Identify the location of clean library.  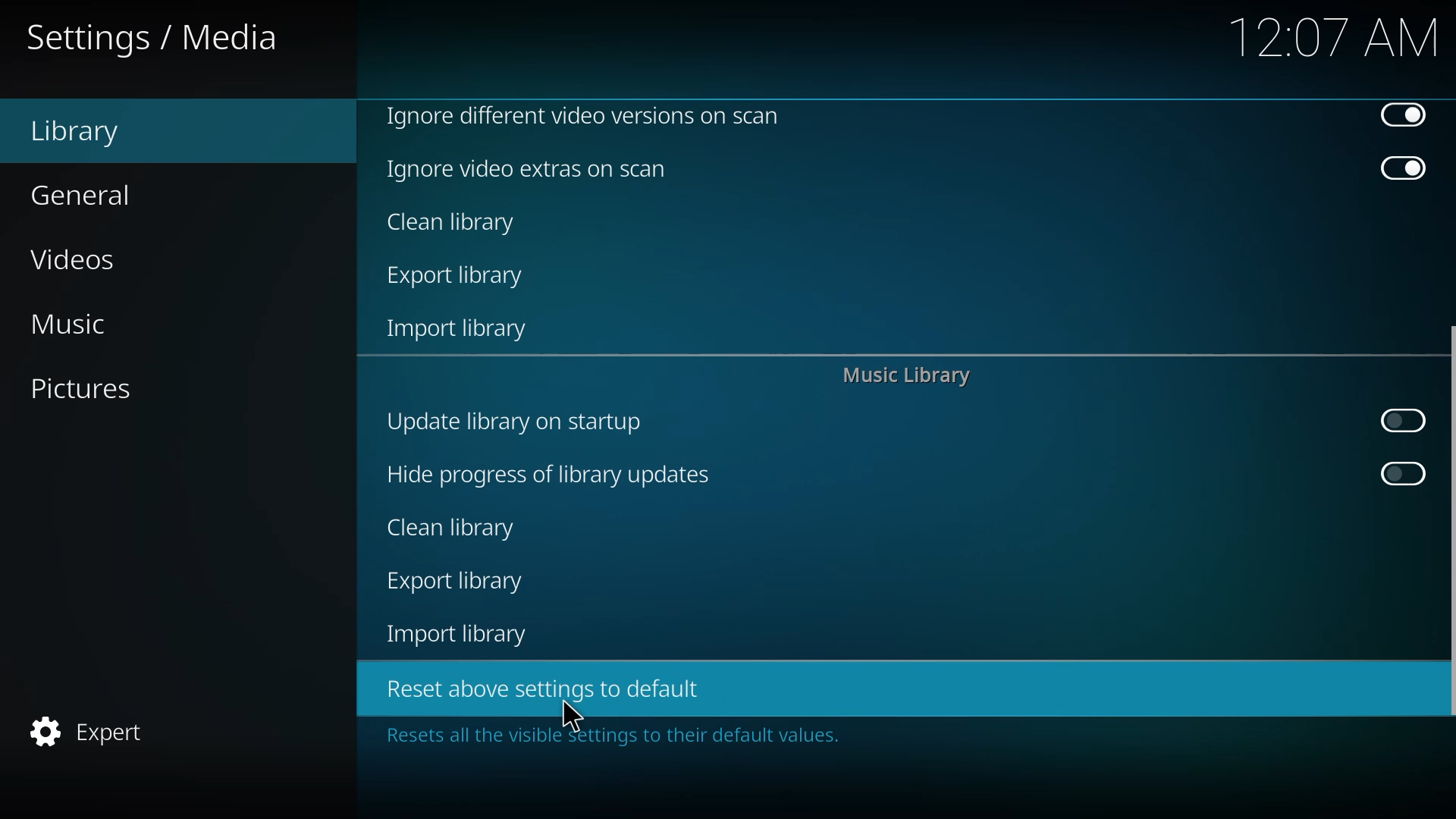
(453, 527).